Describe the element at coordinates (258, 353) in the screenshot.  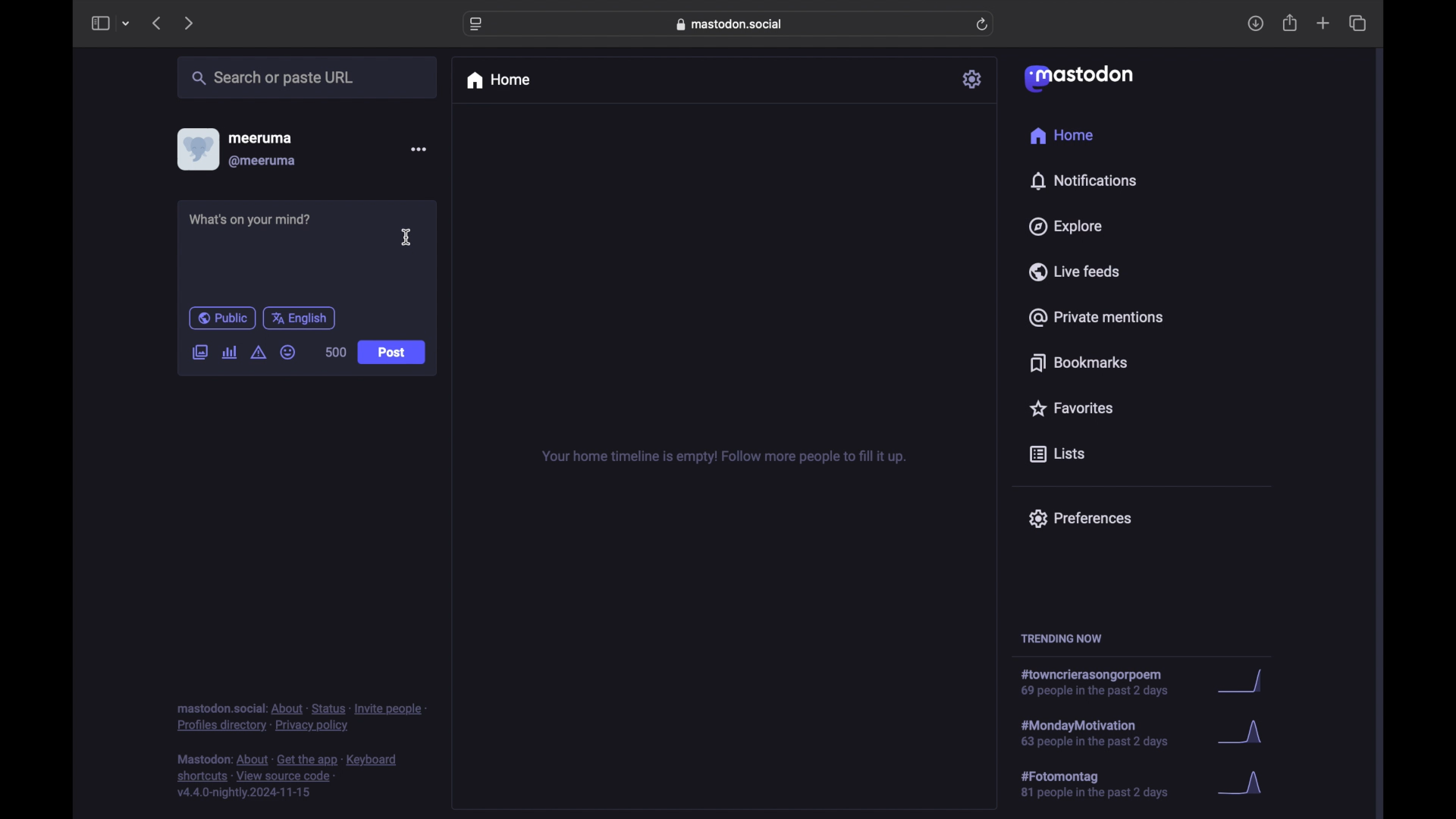
I see `add content warning` at that location.